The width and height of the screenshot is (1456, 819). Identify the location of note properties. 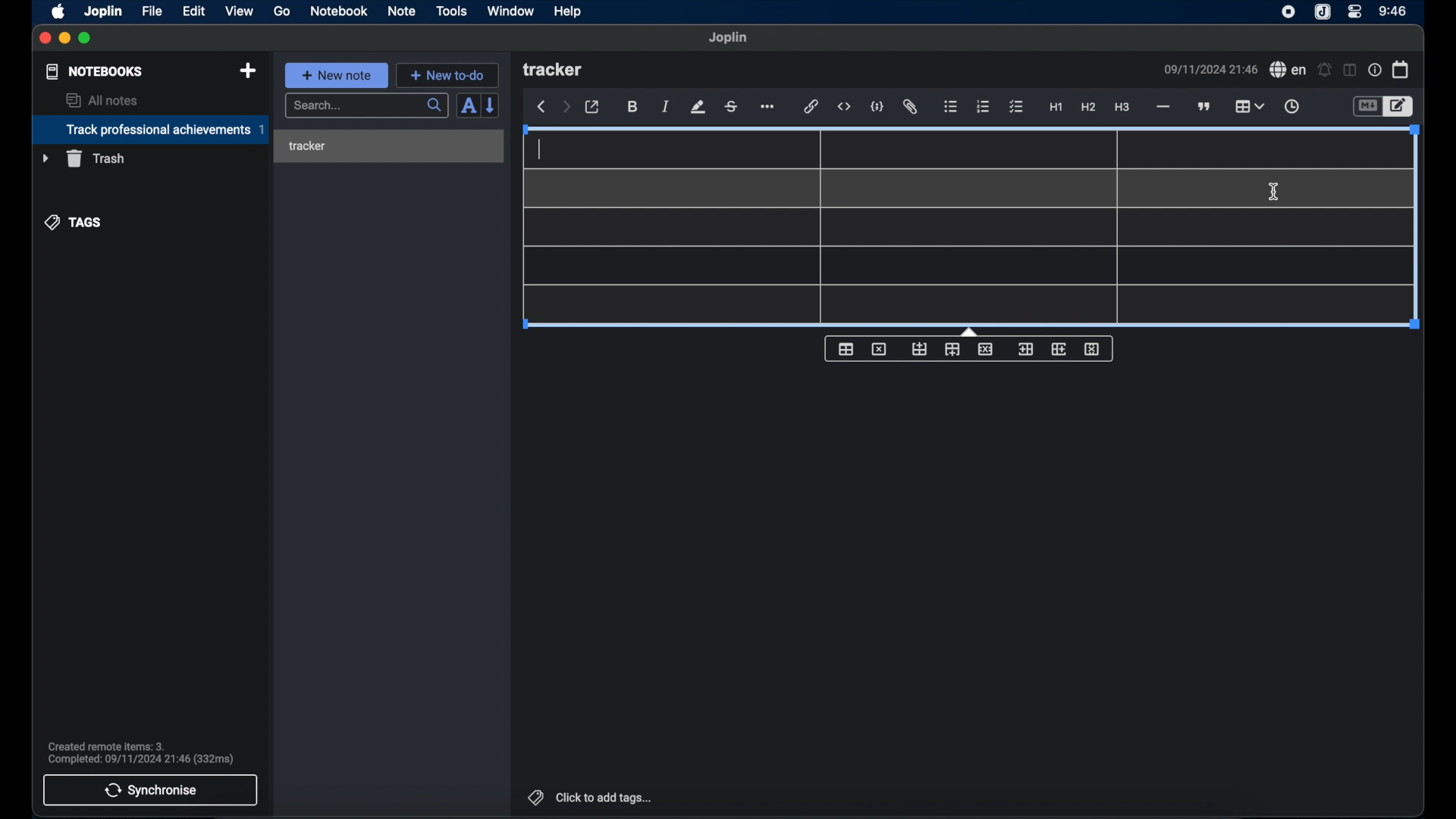
(1374, 70).